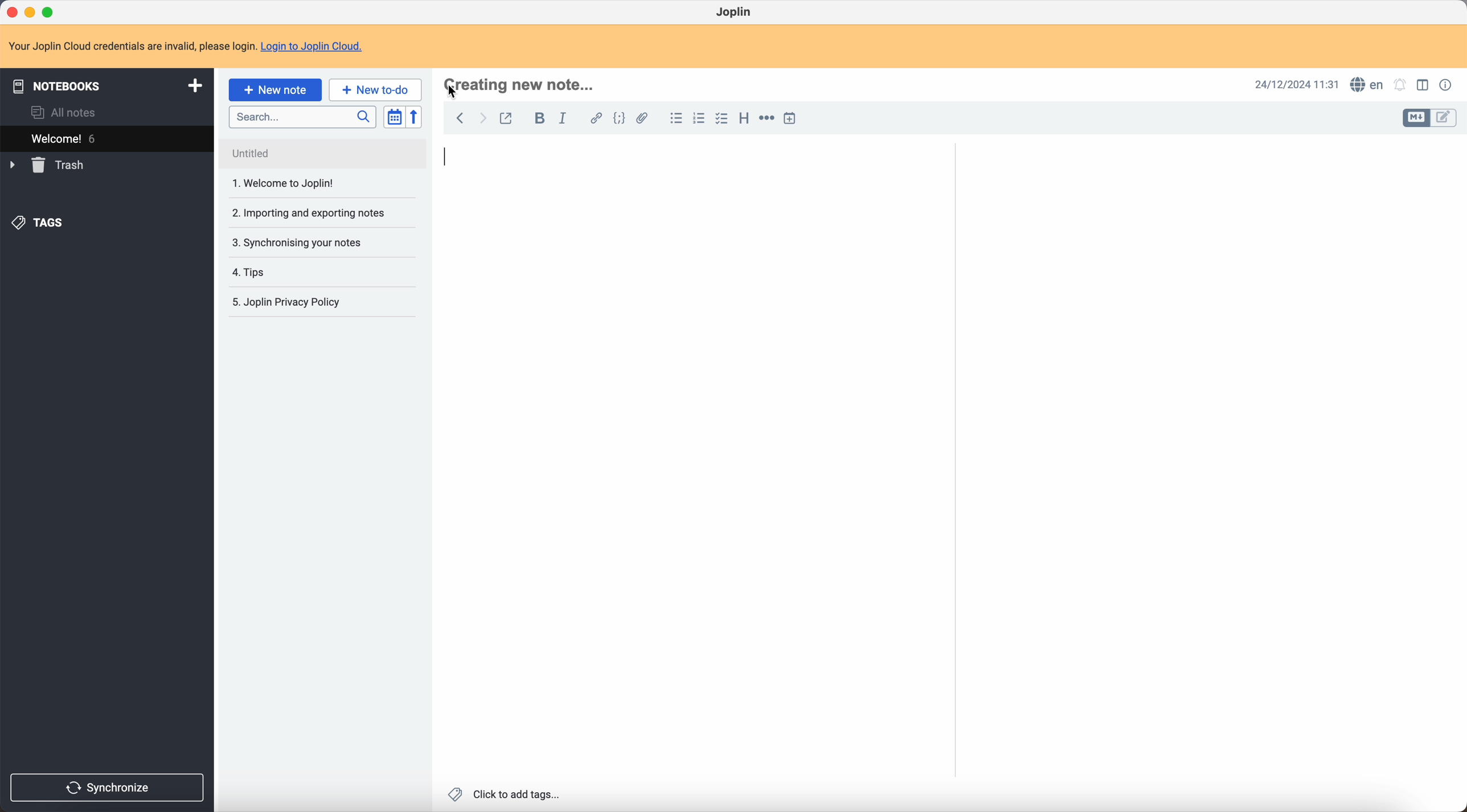  Describe the element at coordinates (702, 458) in the screenshot. I see `body text` at that location.